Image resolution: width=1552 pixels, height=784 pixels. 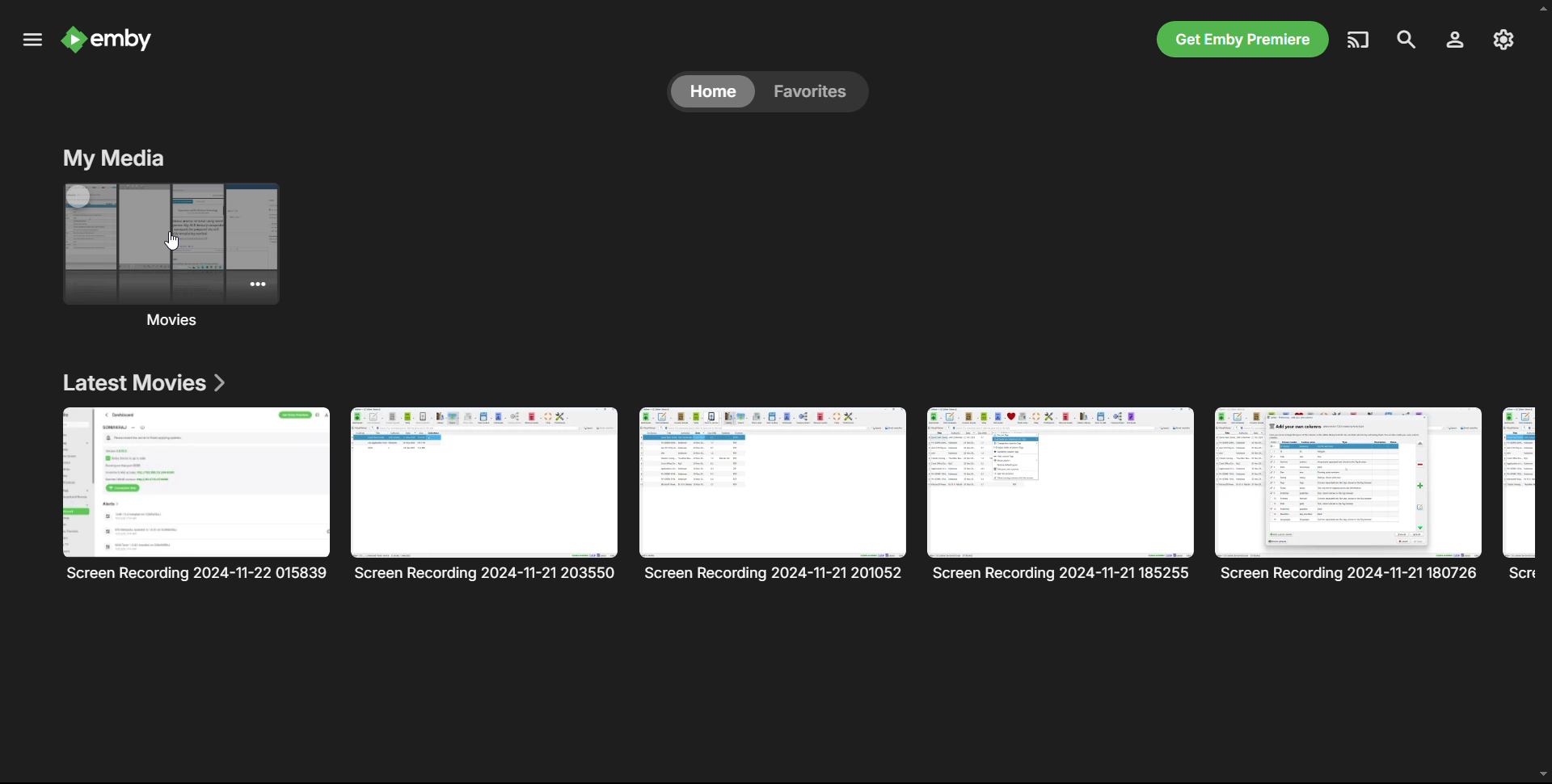 I want to click on account, so click(x=1453, y=40).